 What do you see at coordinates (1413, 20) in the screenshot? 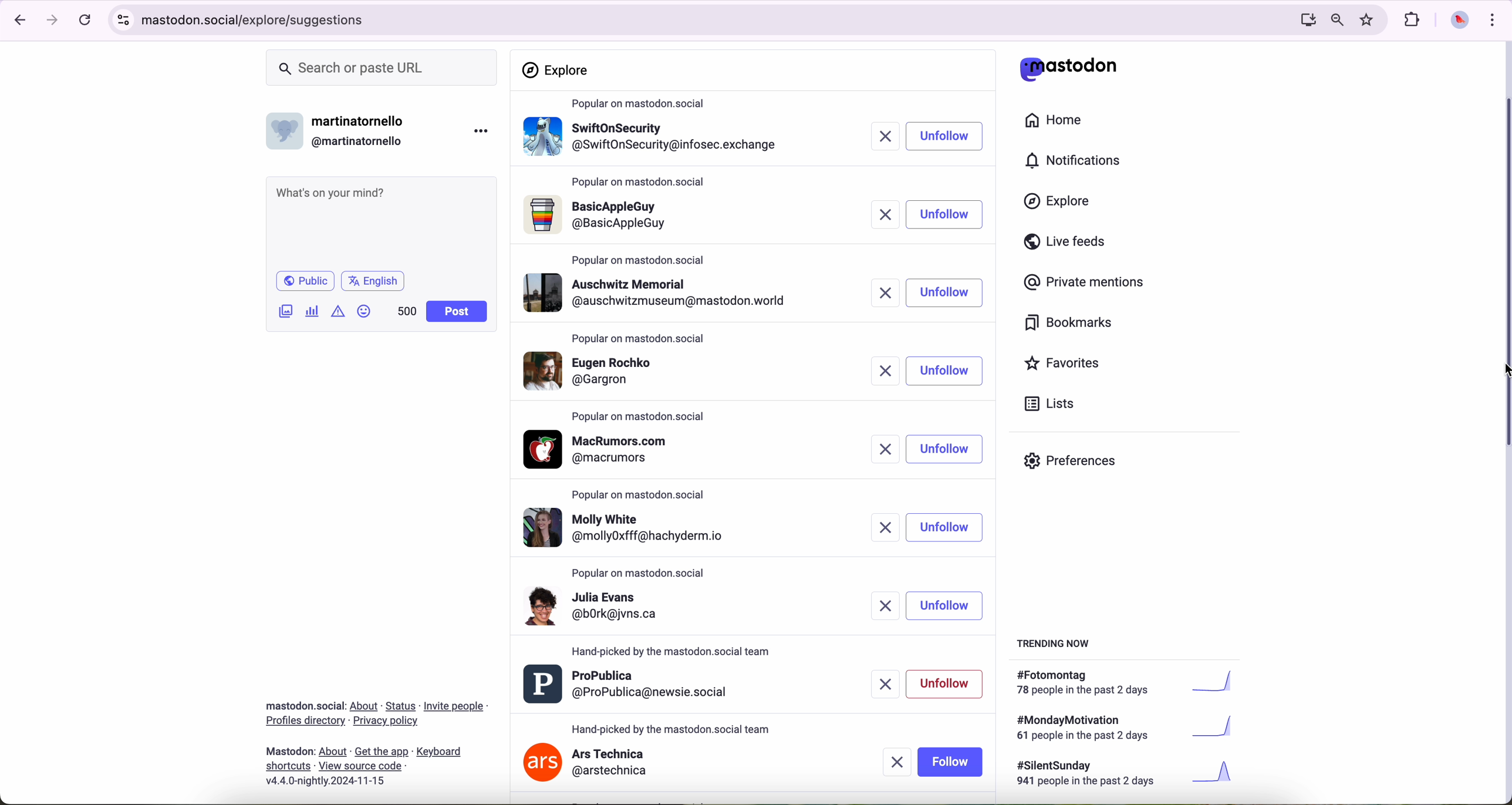
I see `extensions` at bounding box center [1413, 20].